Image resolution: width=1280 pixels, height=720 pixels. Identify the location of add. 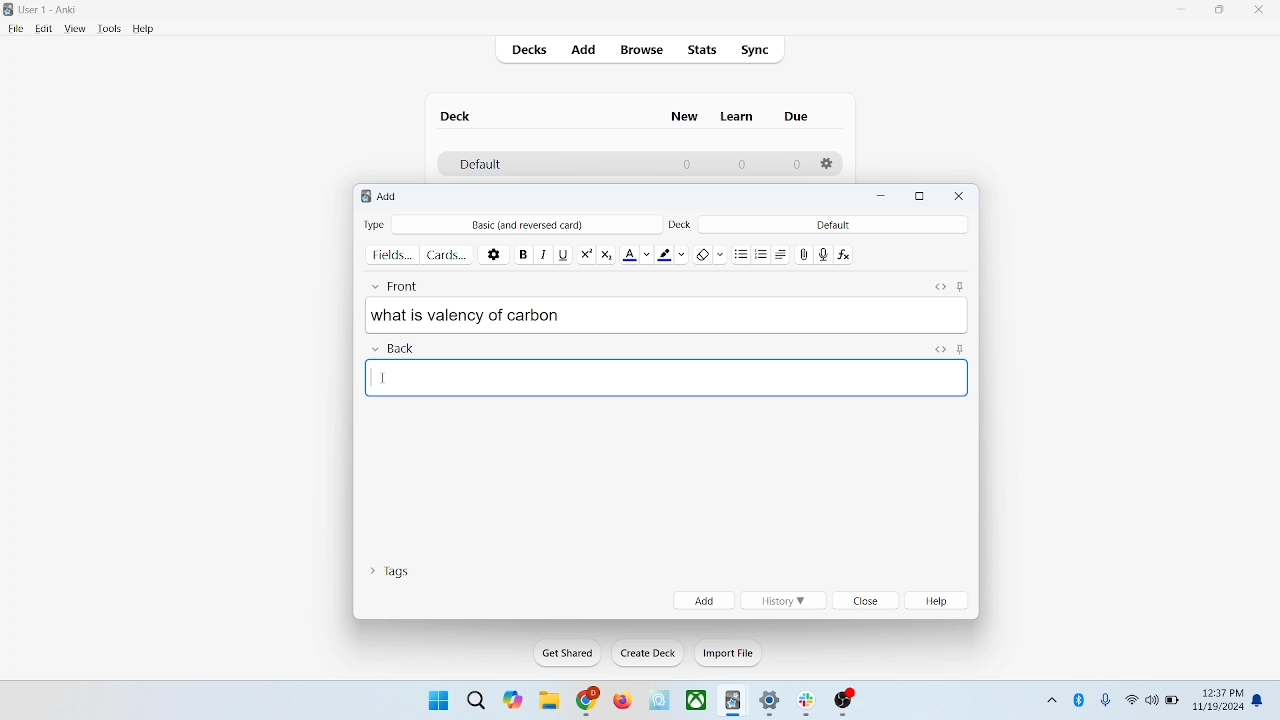
(704, 600).